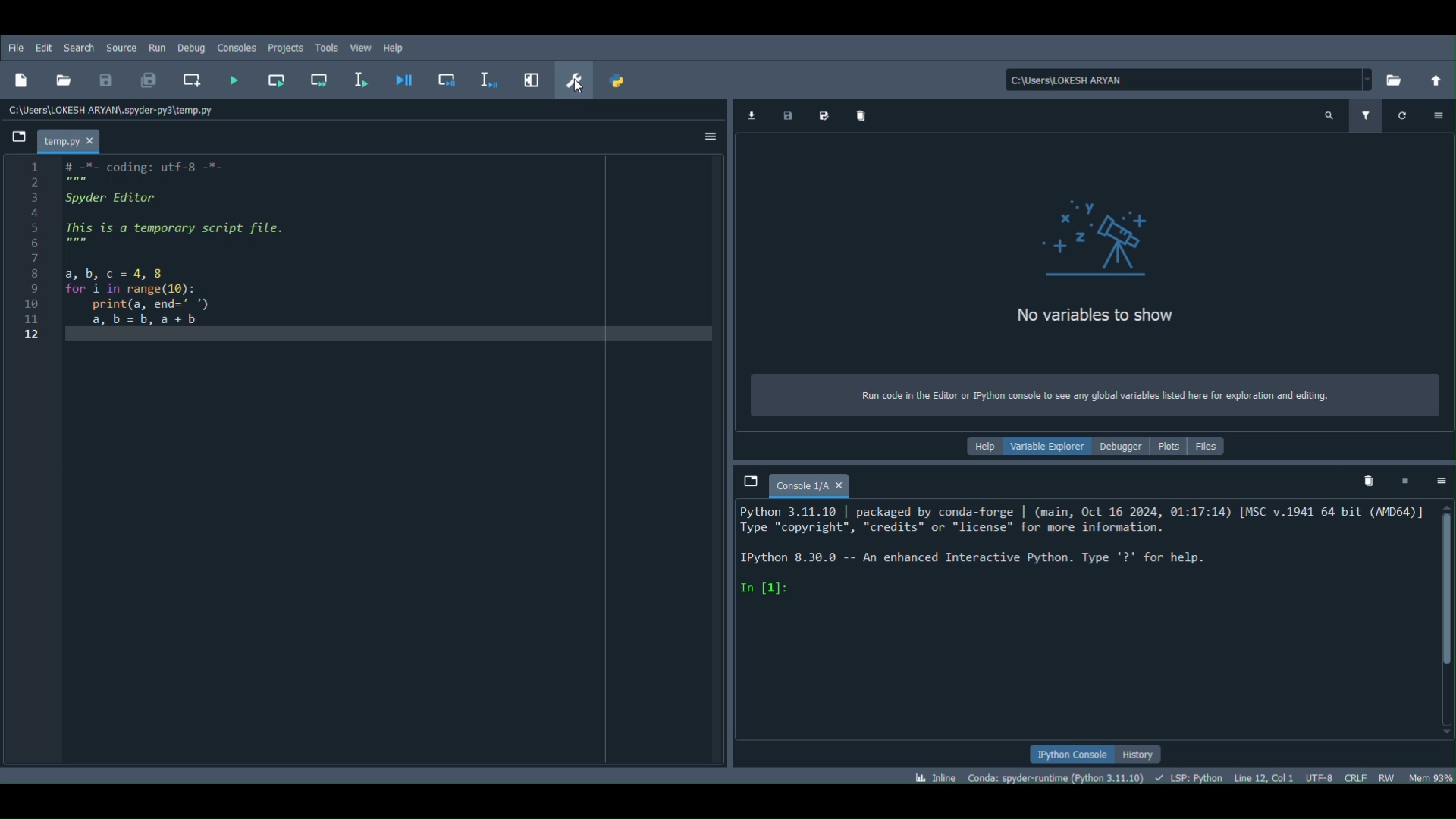 The height and width of the screenshot is (819, 1456). I want to click on Help, so click(980, 445).